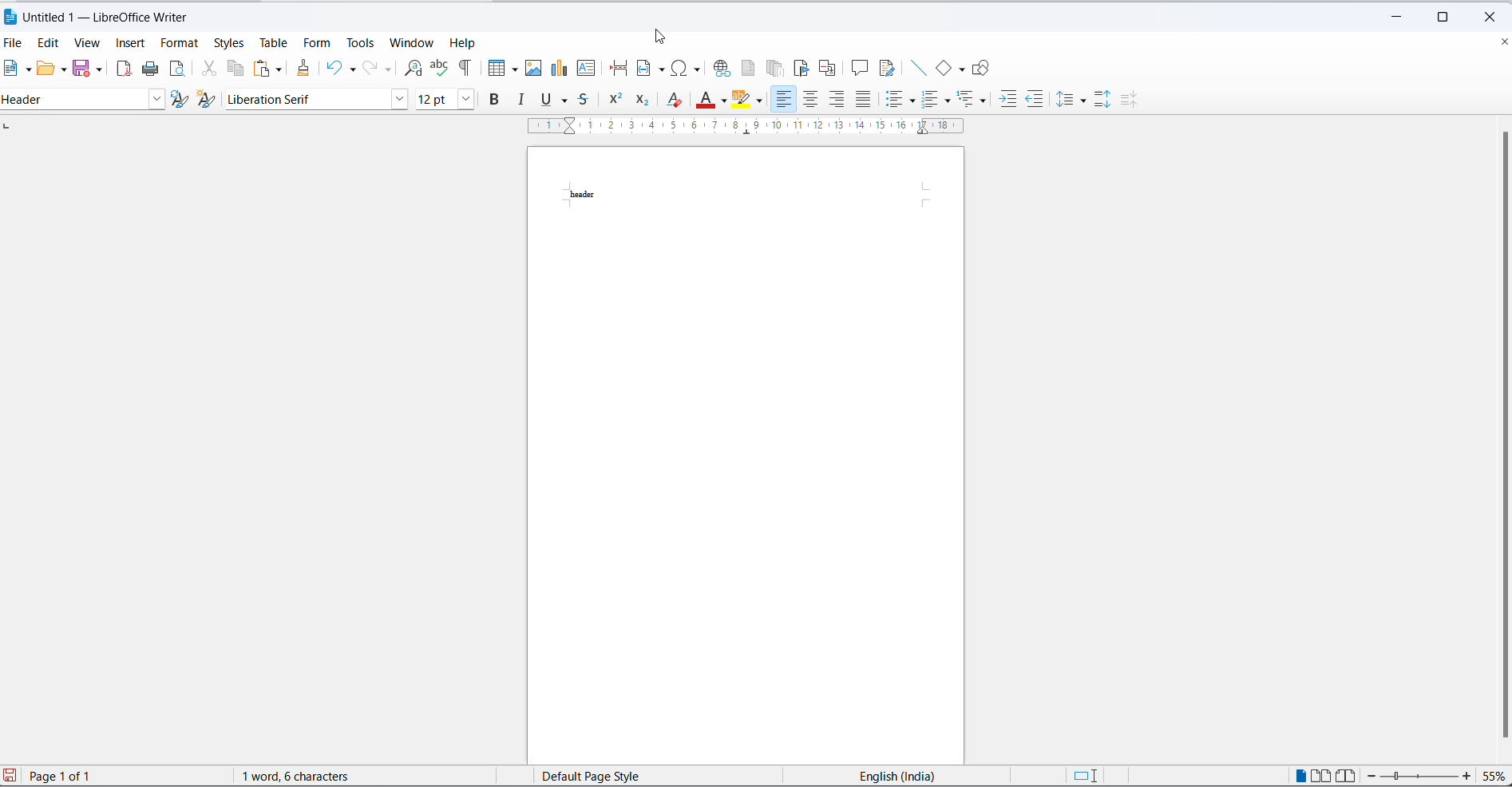 This screenshot has height=787, width=1512. Describe the element at coordinates (1086, 100) in the screenshot. I see `line spacing options` at that location.